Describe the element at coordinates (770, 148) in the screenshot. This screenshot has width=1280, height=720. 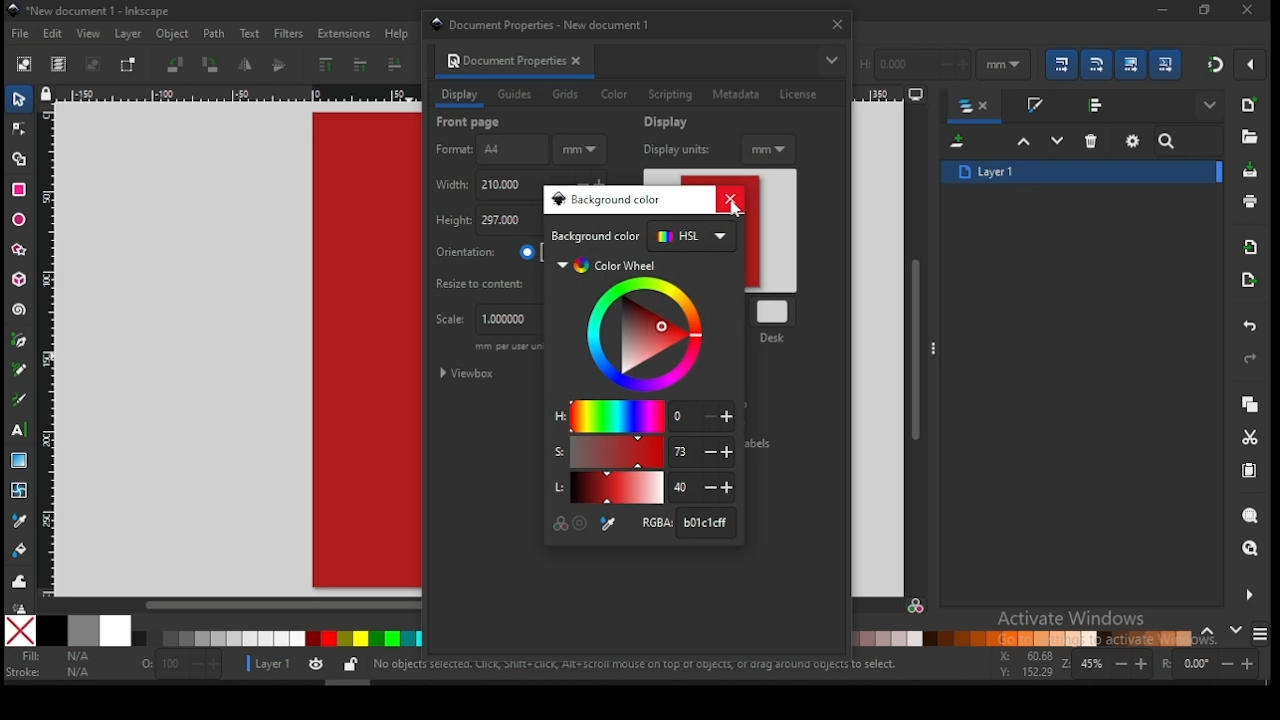
I see `mm` at that location.